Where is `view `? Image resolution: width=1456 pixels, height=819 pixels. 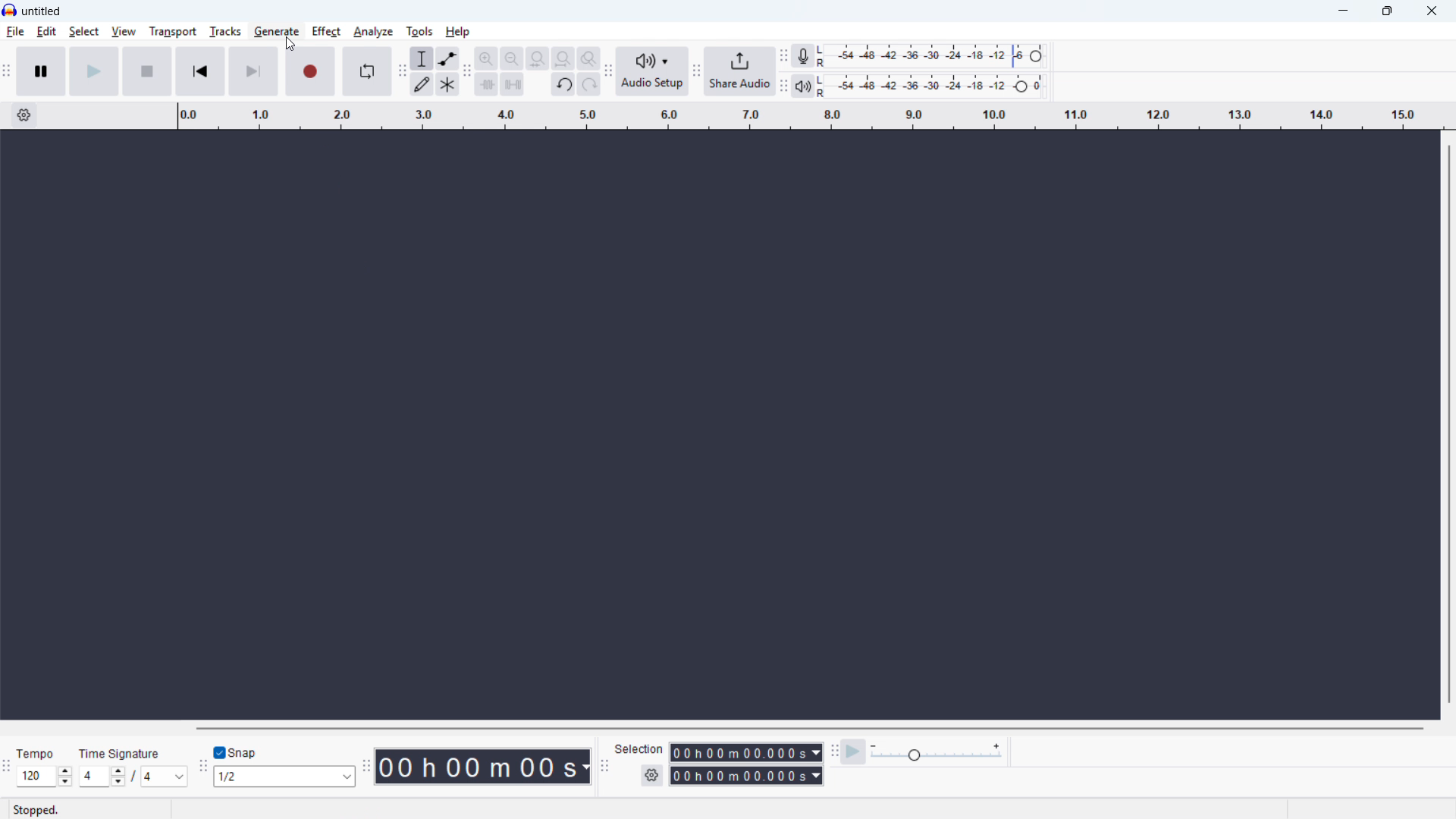
view  is located at coordinates (124, 32).